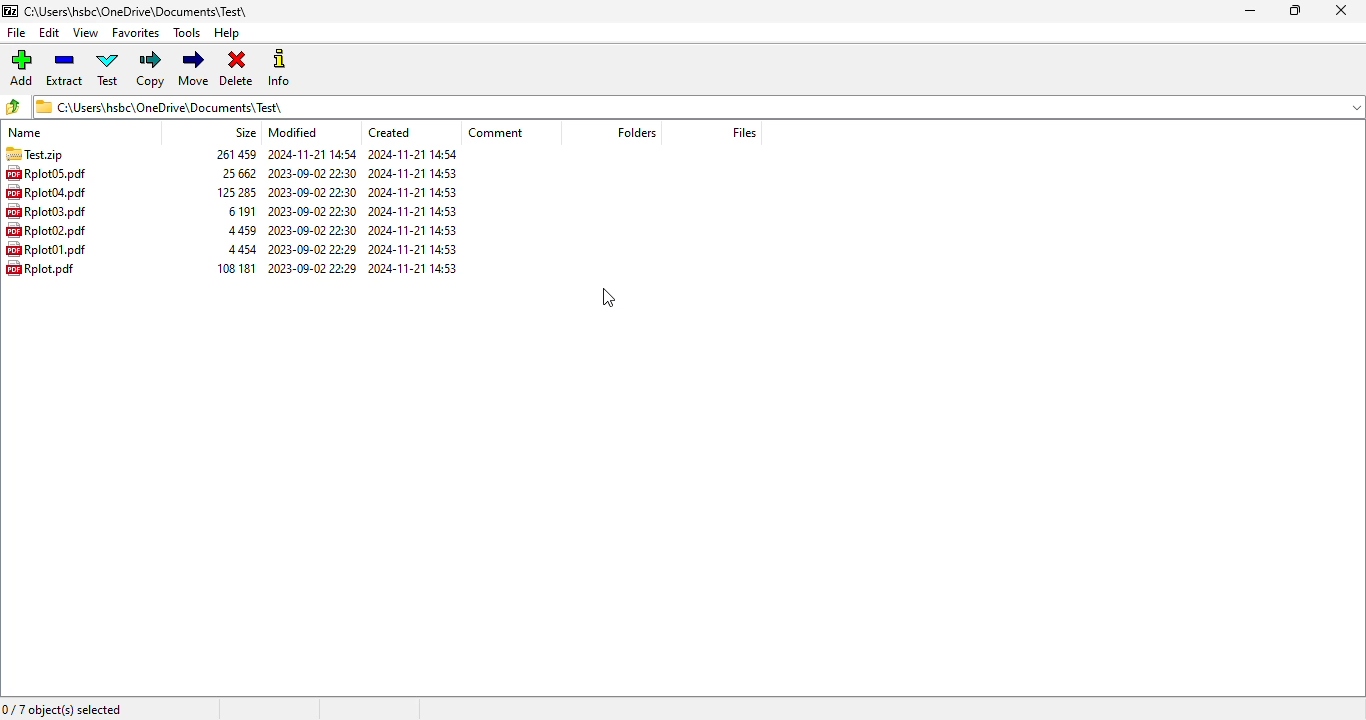 The height and width of the screenshot is (720, 1366). What do you see at coordinates (136, 33) in the screenshot?
I see `favorites` at bounding box center [136, 33].